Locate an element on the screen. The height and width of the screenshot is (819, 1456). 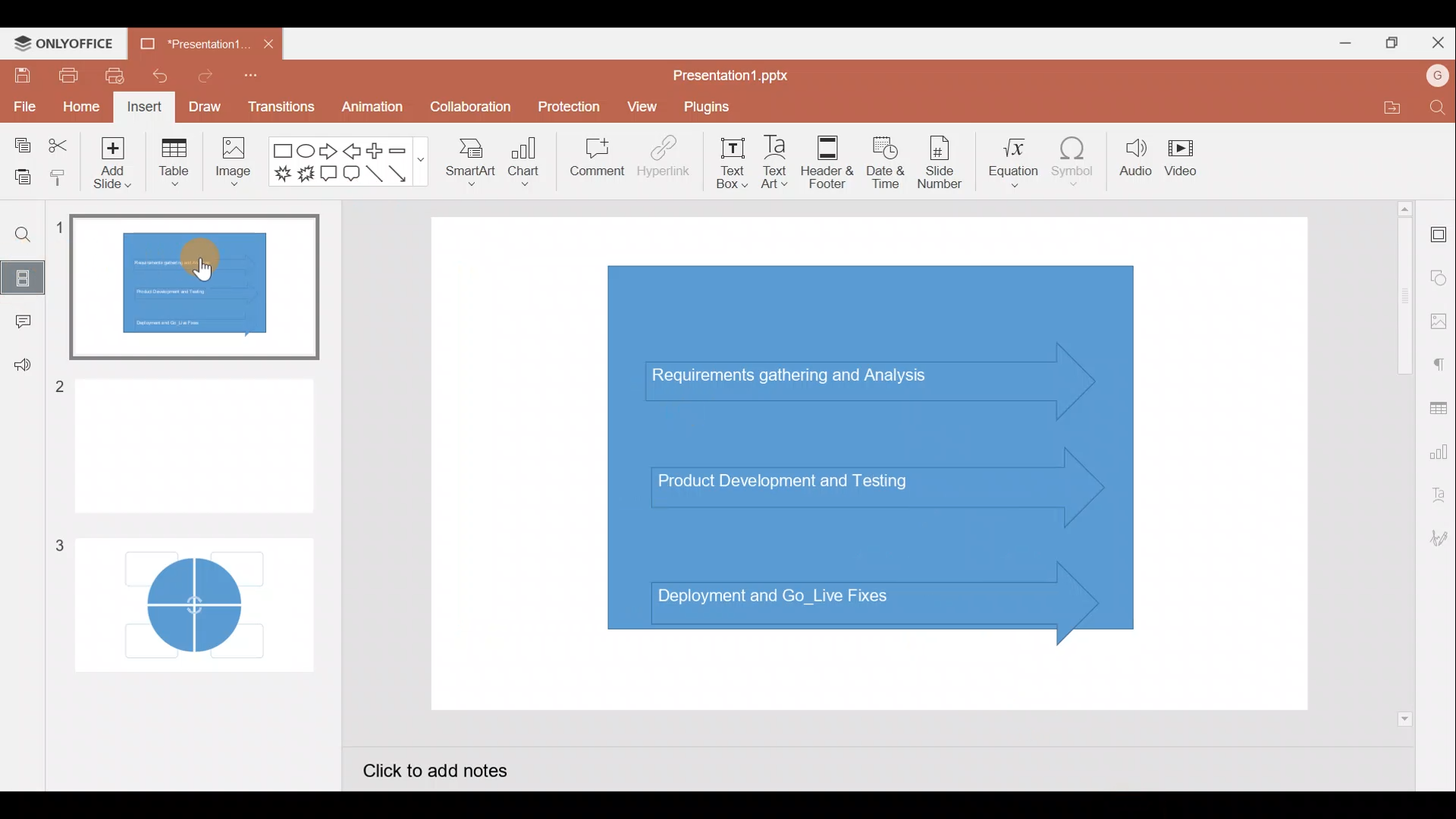
View is located at coordinates (642, 108).